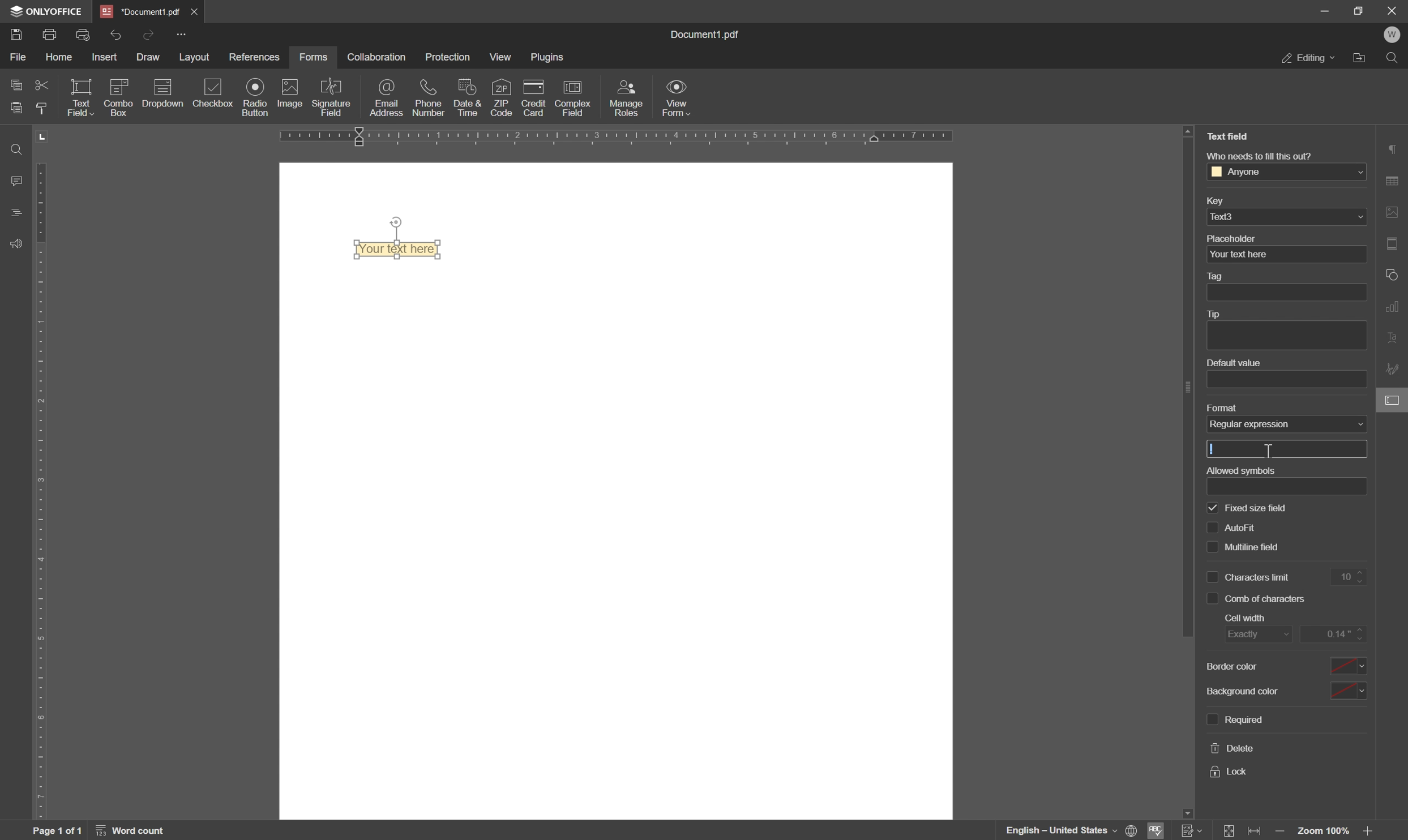 The height and width of the screenshot is (840, 1408). What do you see at coordinates (1256, 636) in the screenshot?
I see `exactly` at bounding box center [1256, 636].